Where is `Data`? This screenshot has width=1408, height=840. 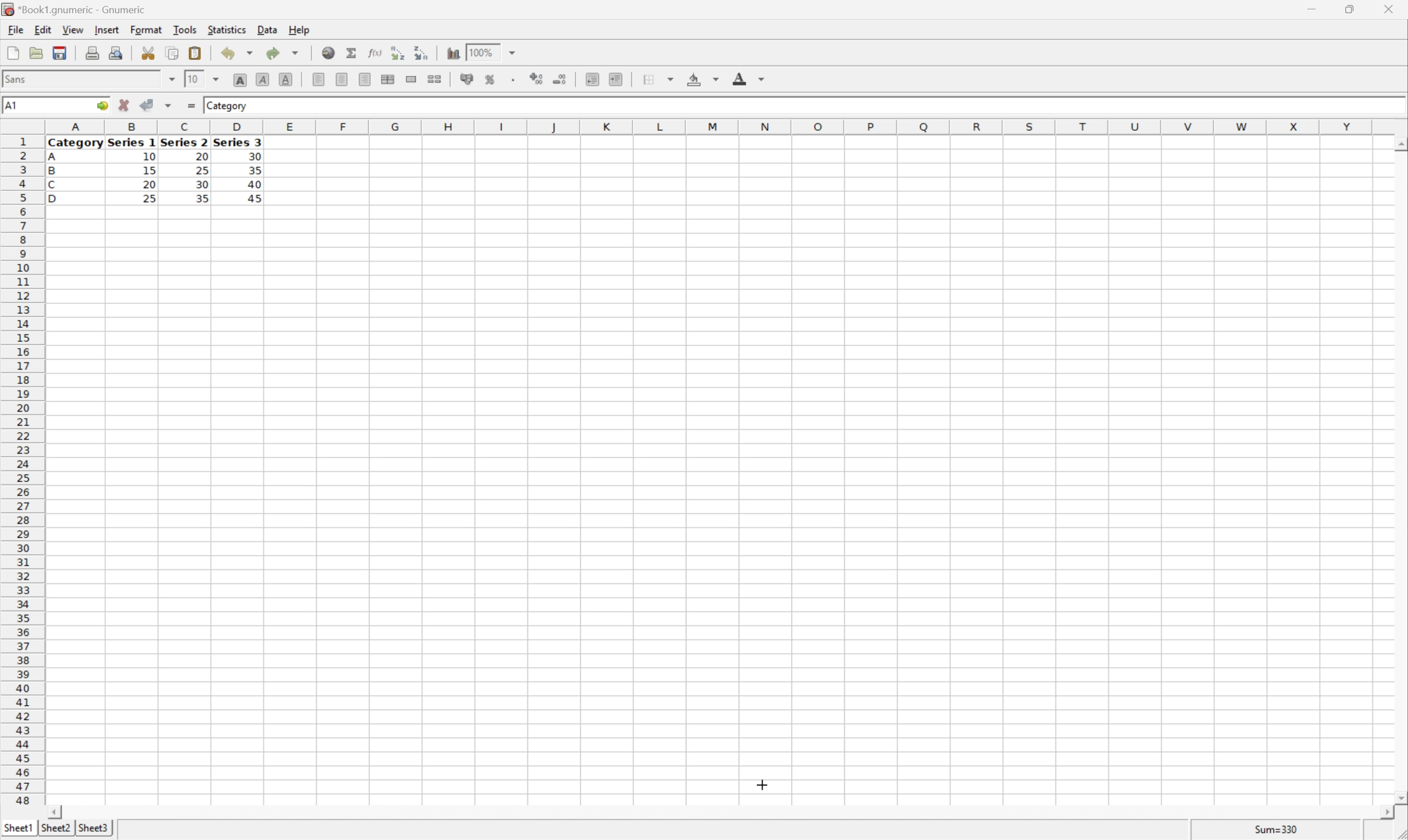
Data is located at coordinates (268, 28).